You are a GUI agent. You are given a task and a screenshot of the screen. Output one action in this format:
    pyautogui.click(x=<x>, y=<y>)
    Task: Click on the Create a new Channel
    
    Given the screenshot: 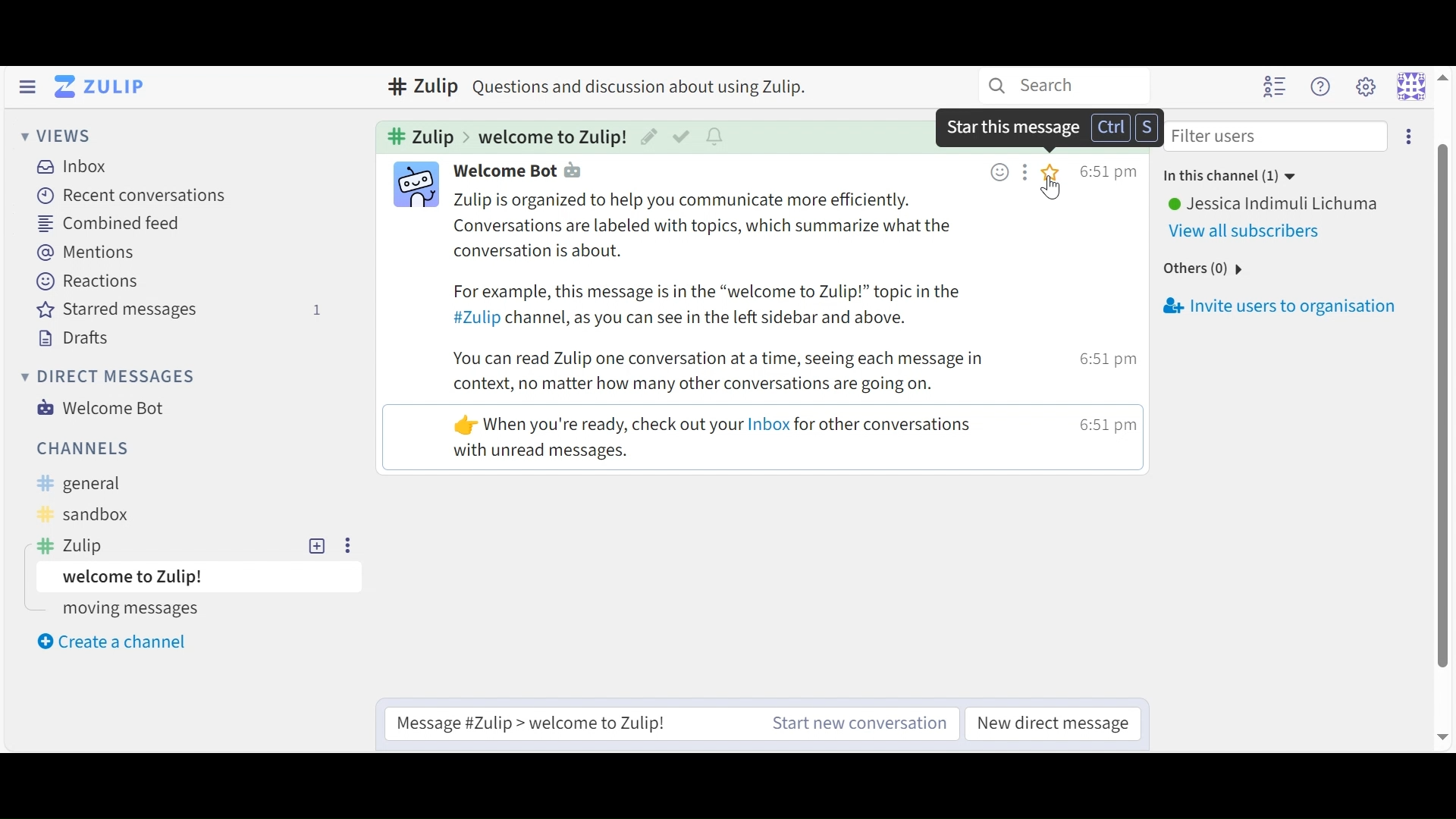 What is the action you would take?
    pyautogui.click(x=121, y=643)
    